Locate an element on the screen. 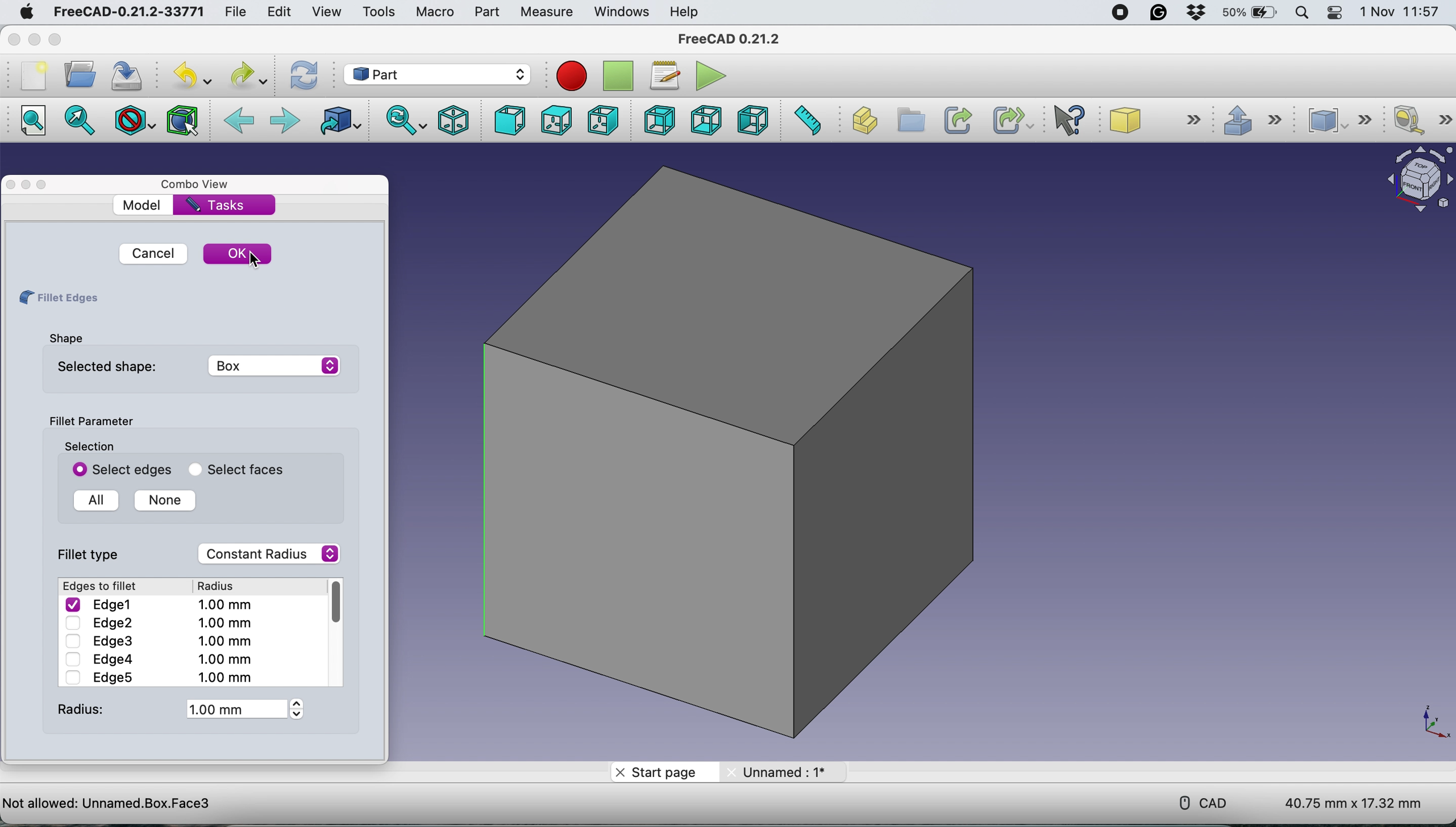 This screenshot has height=827, width=1456. rear is located at coordinates (659, 120).